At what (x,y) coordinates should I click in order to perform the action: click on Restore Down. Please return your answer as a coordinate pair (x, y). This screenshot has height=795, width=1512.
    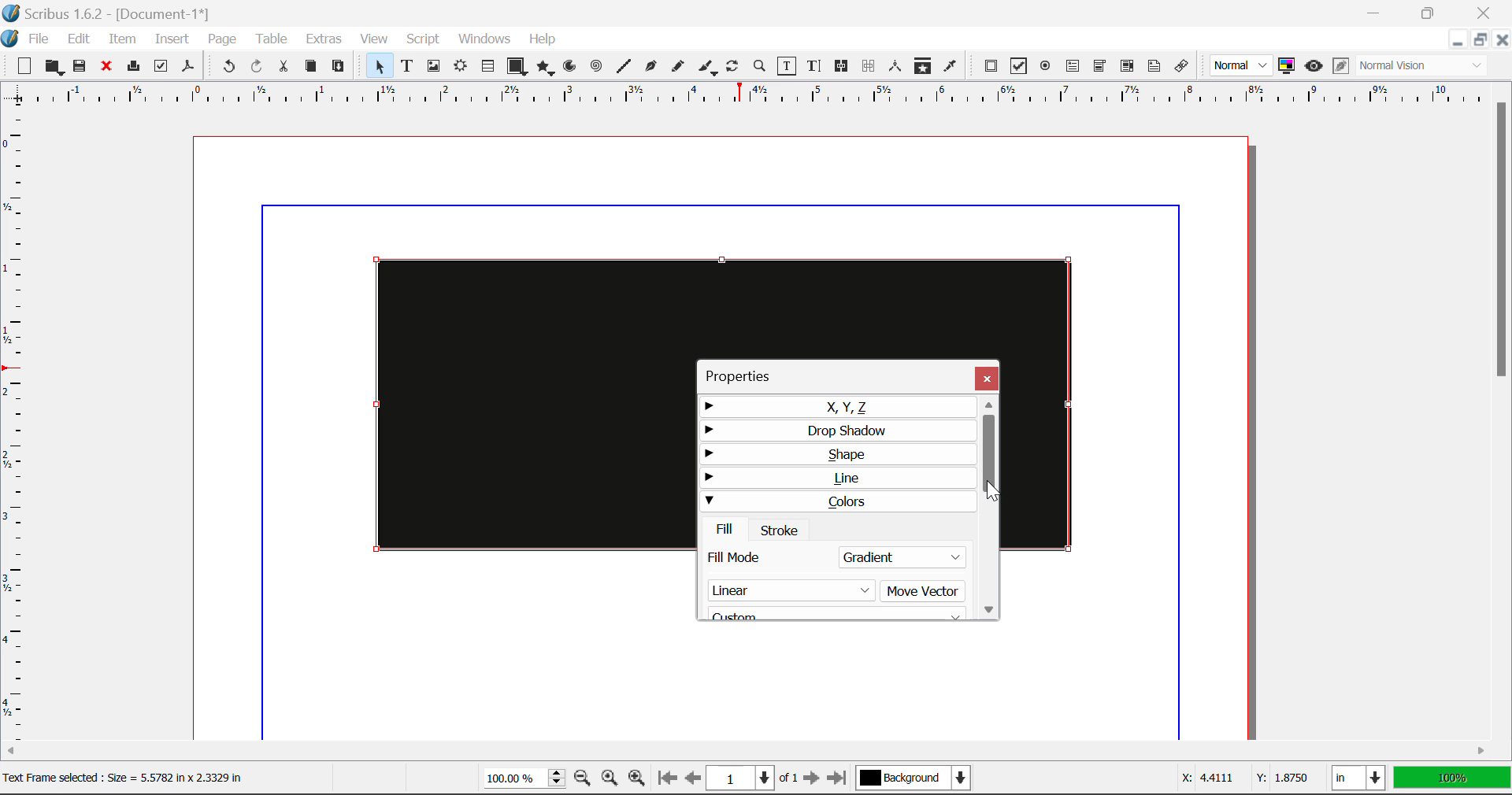
    Looking at the image, I should click on (1376, 11).